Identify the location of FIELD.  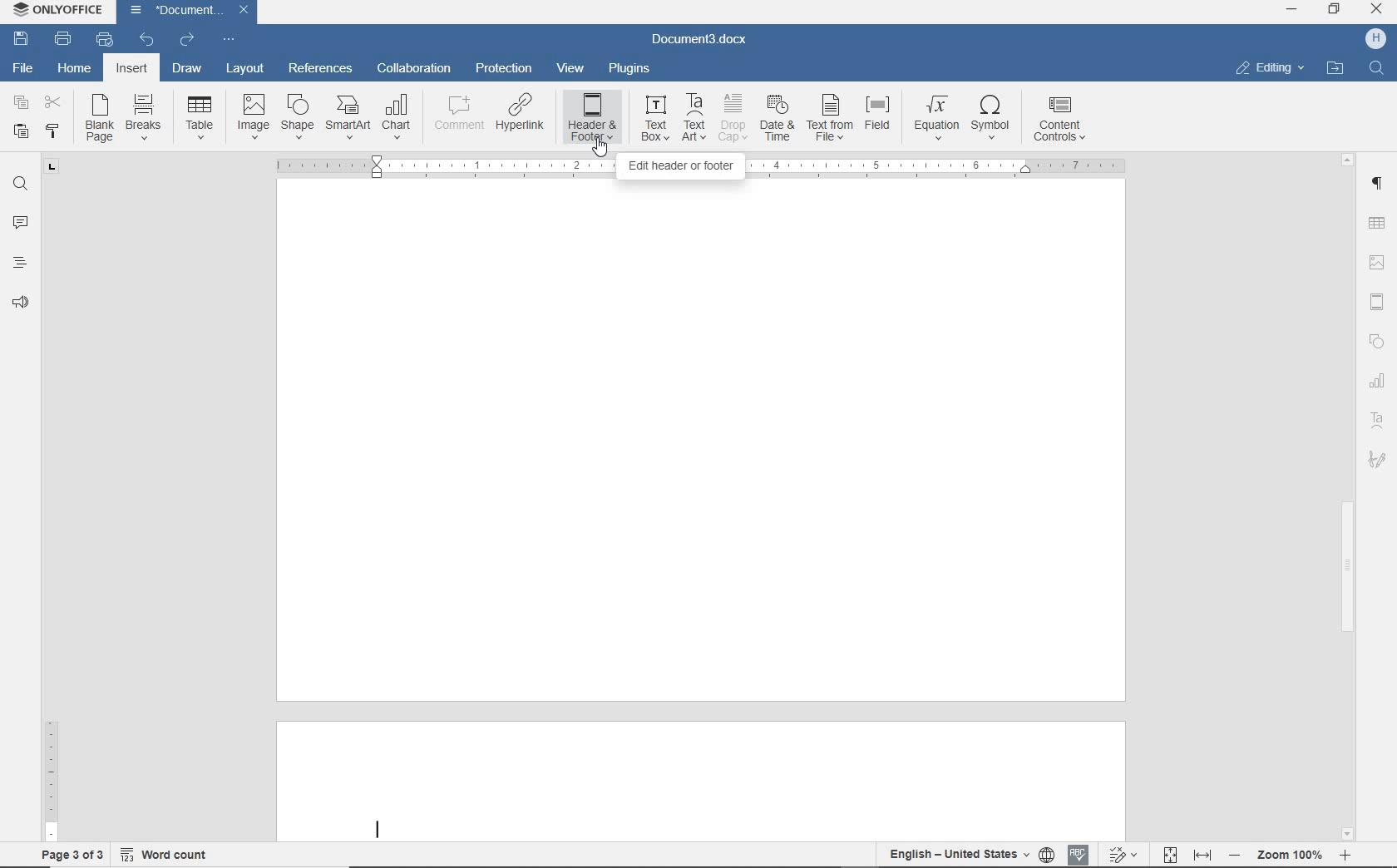
(882, 118).